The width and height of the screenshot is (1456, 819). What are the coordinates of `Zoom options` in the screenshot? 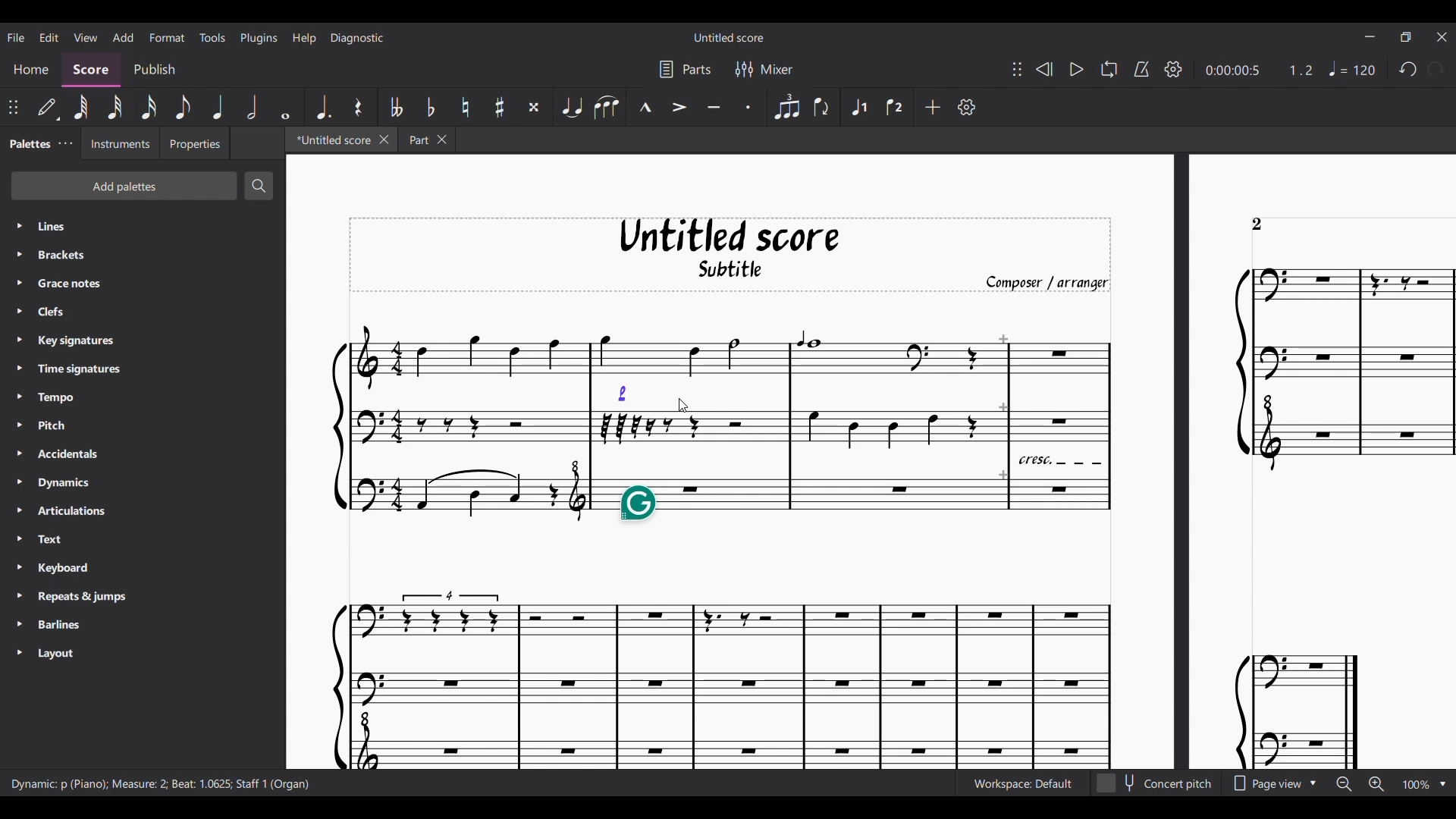 It's located at (1442, 784).